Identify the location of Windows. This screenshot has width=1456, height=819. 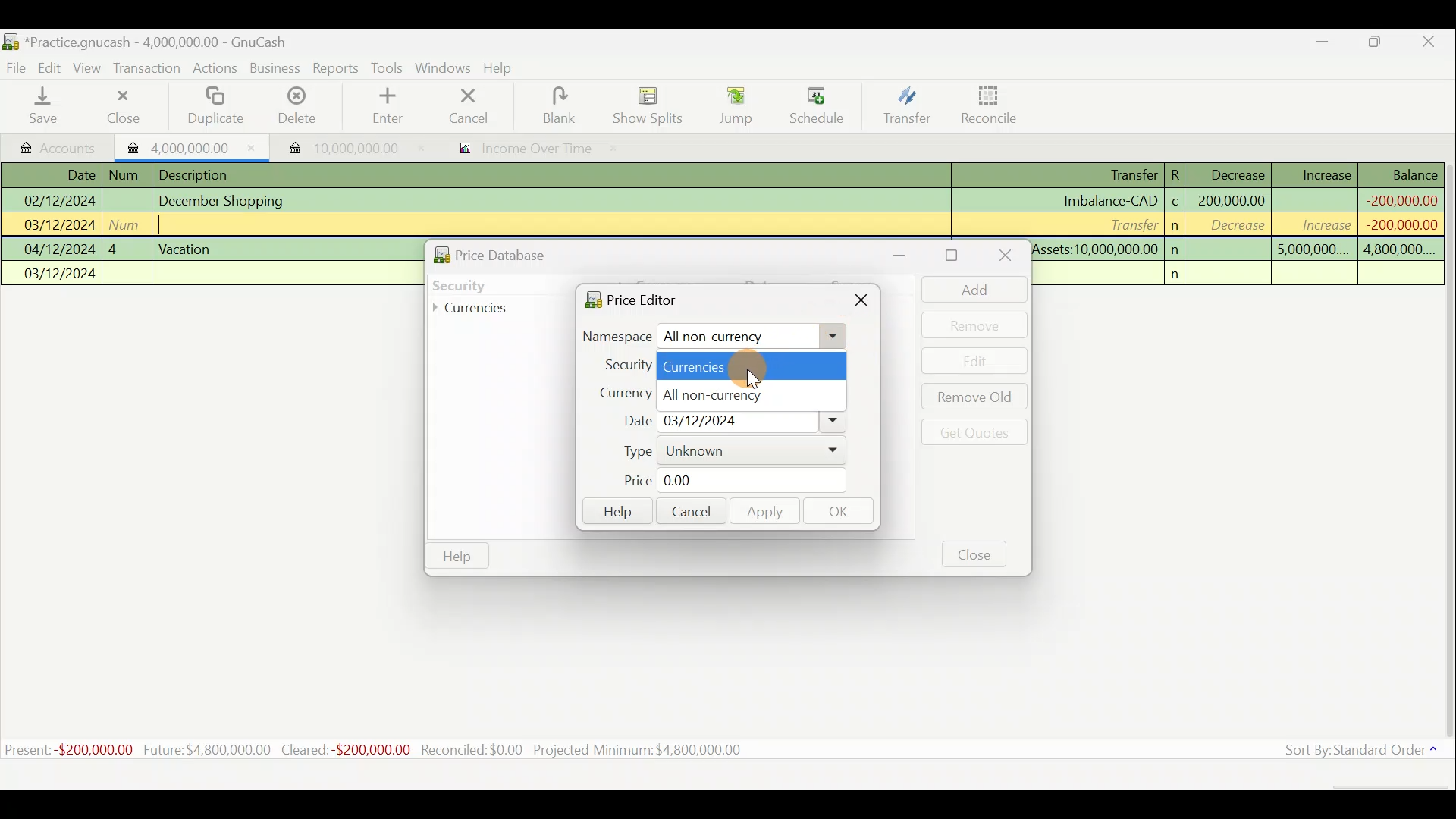
(443, 68).